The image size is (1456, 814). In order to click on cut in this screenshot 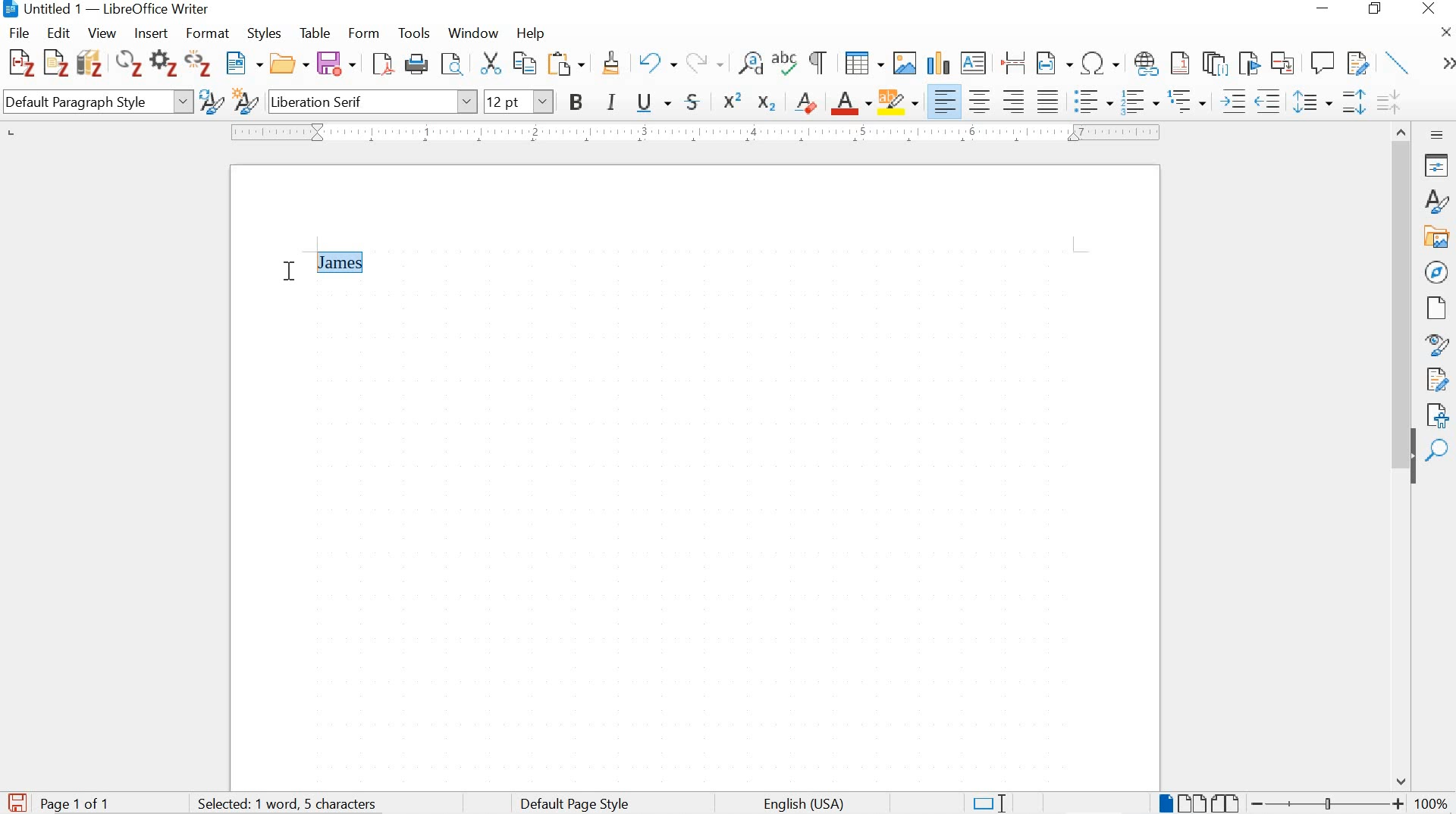, I will do `click(490, 65)`.